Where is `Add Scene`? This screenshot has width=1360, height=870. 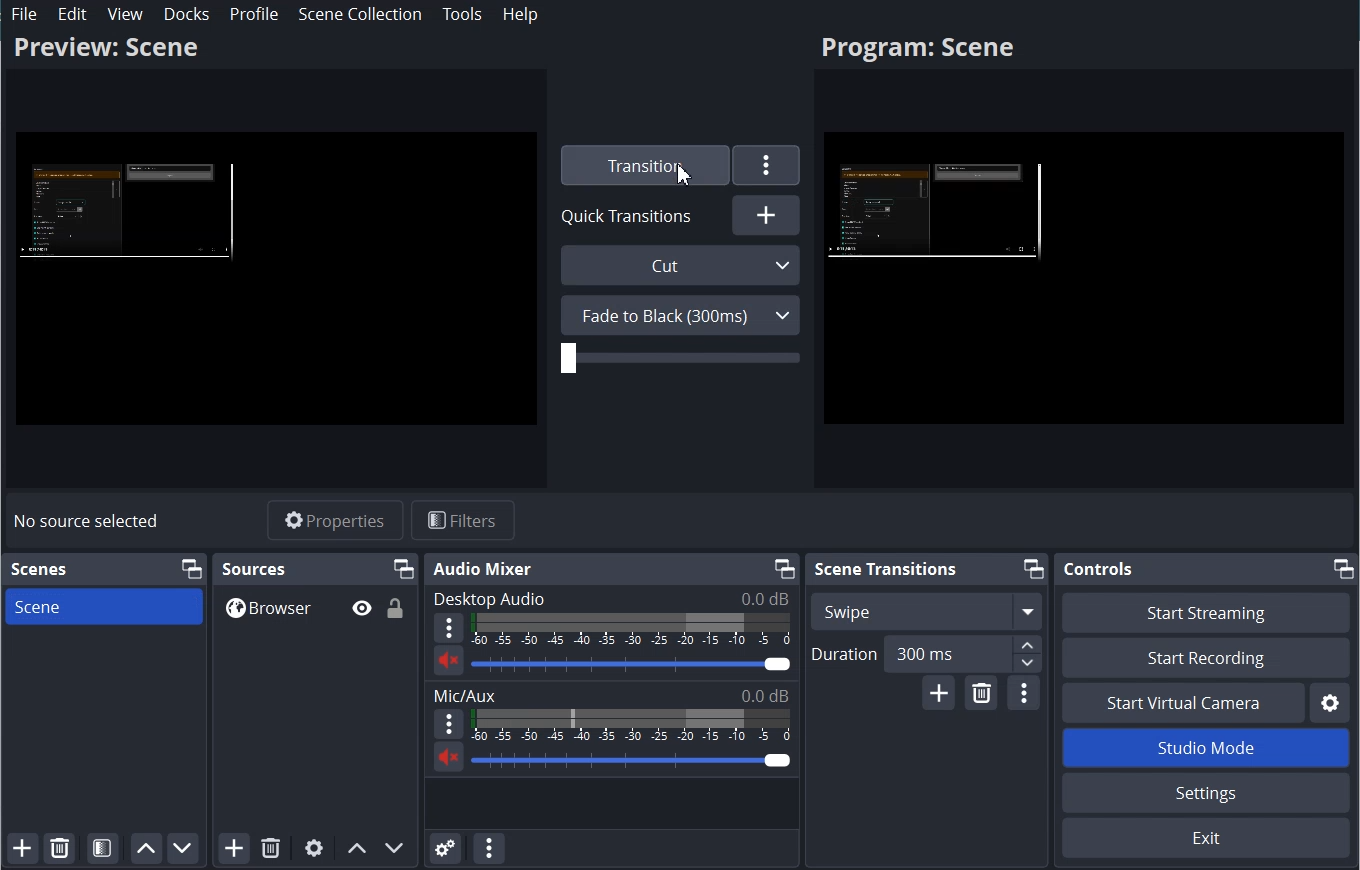
Add Scene is located at coordinates (22, 848).